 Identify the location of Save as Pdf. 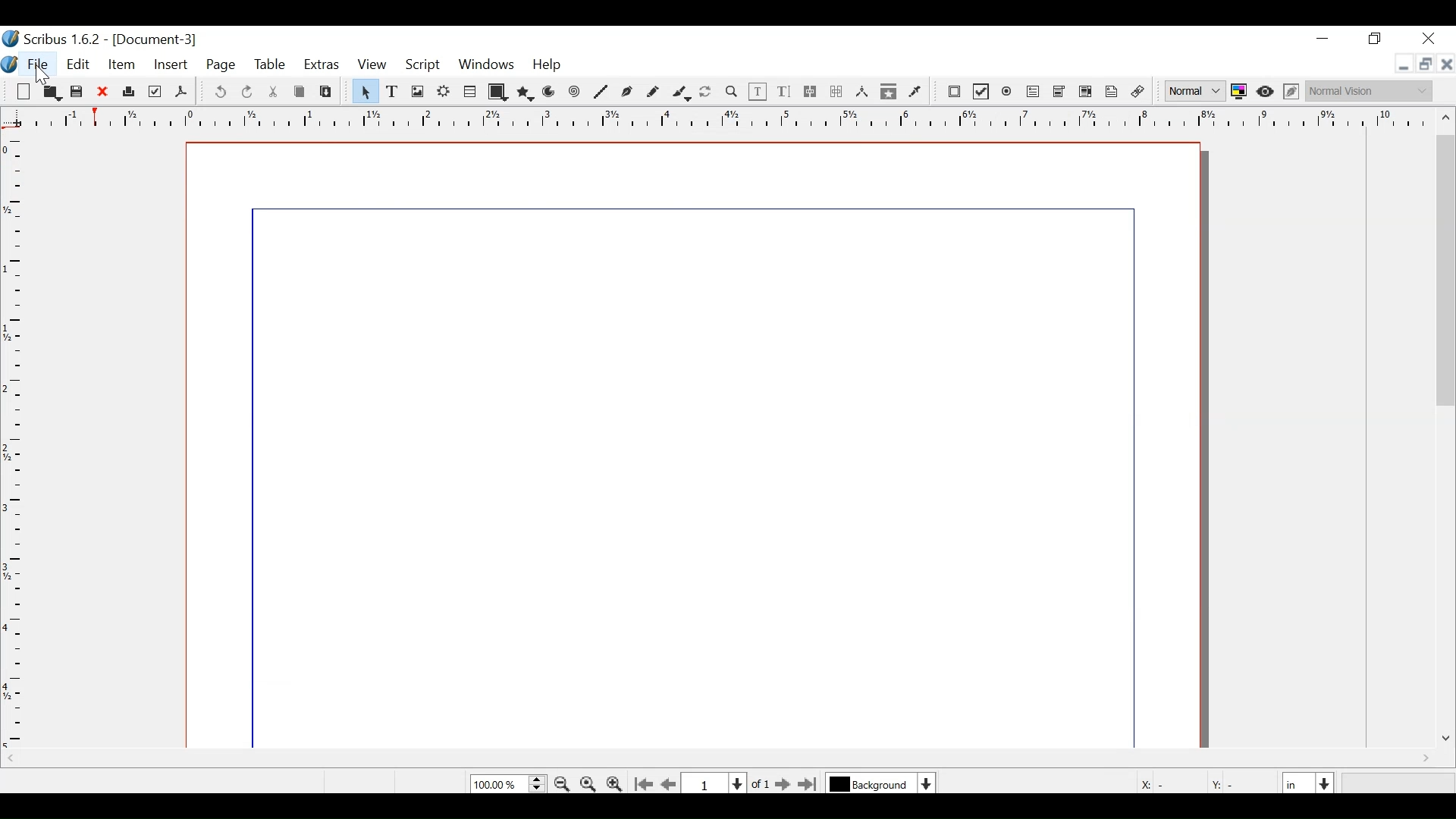
(181, 93).